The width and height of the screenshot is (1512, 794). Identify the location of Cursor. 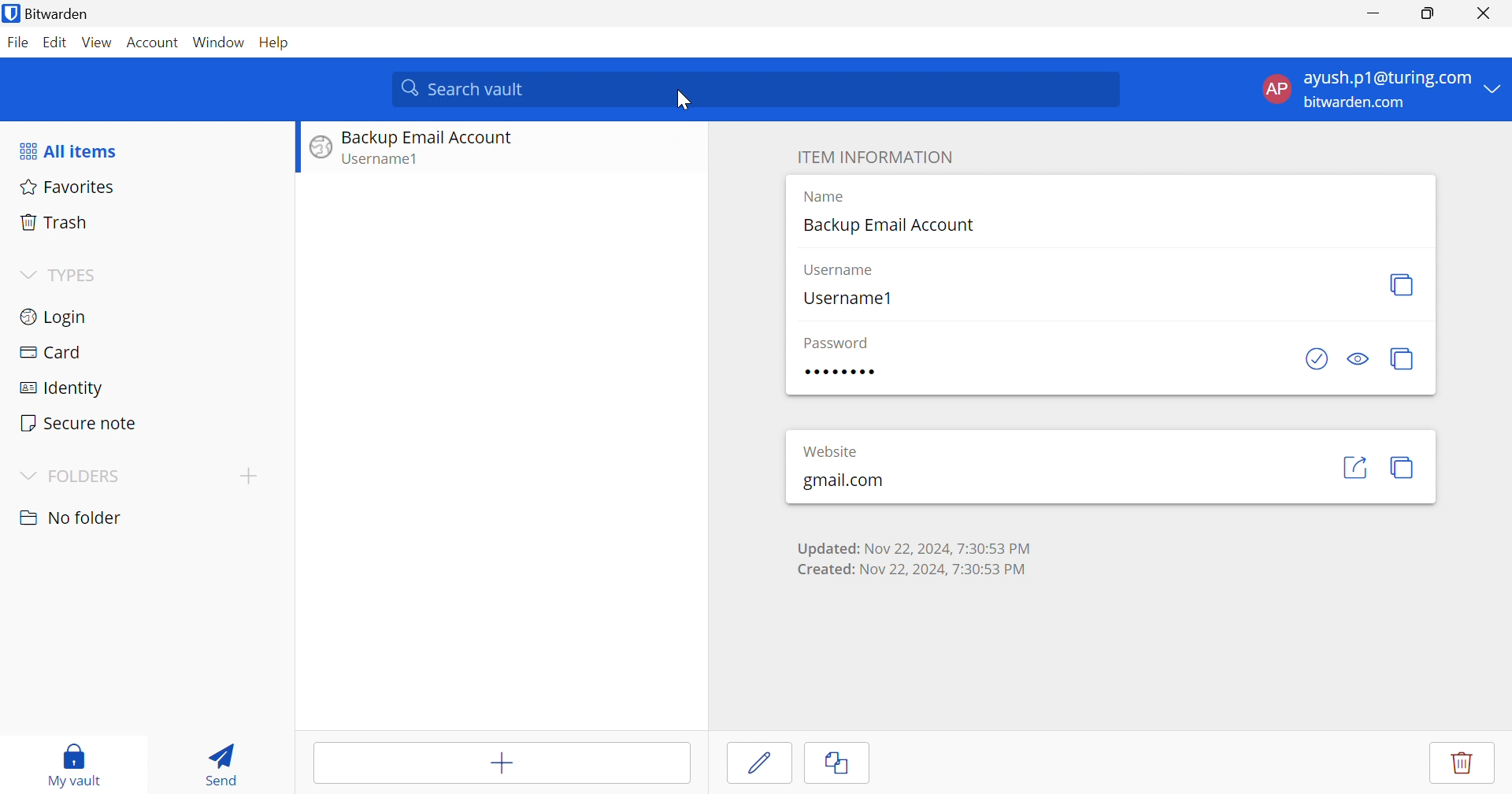
(758, 765).